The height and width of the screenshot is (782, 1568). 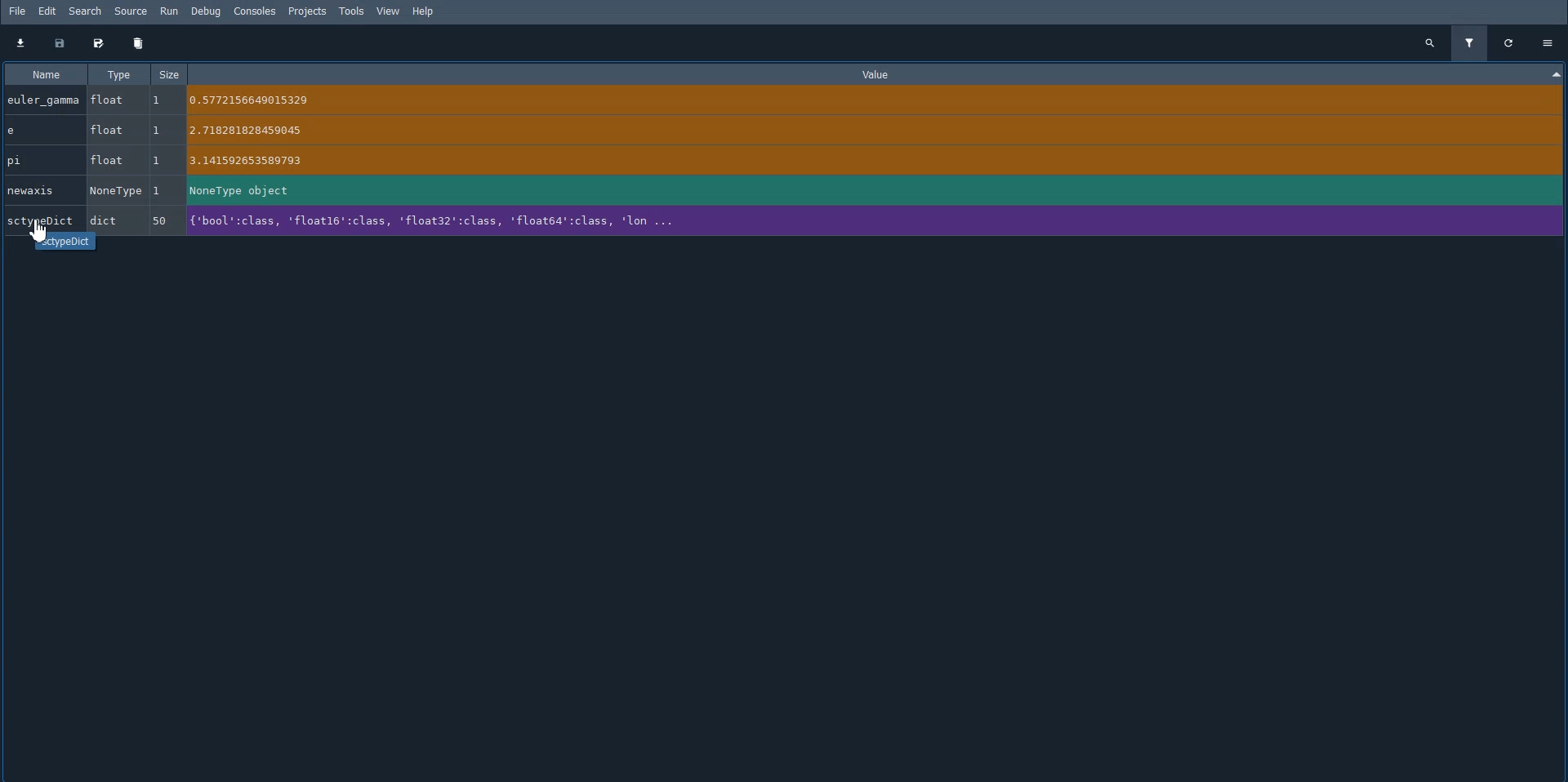 What do you see at coordinates (389, 11) in the screenshot?
I see `View` at bounding box center [389, 11].